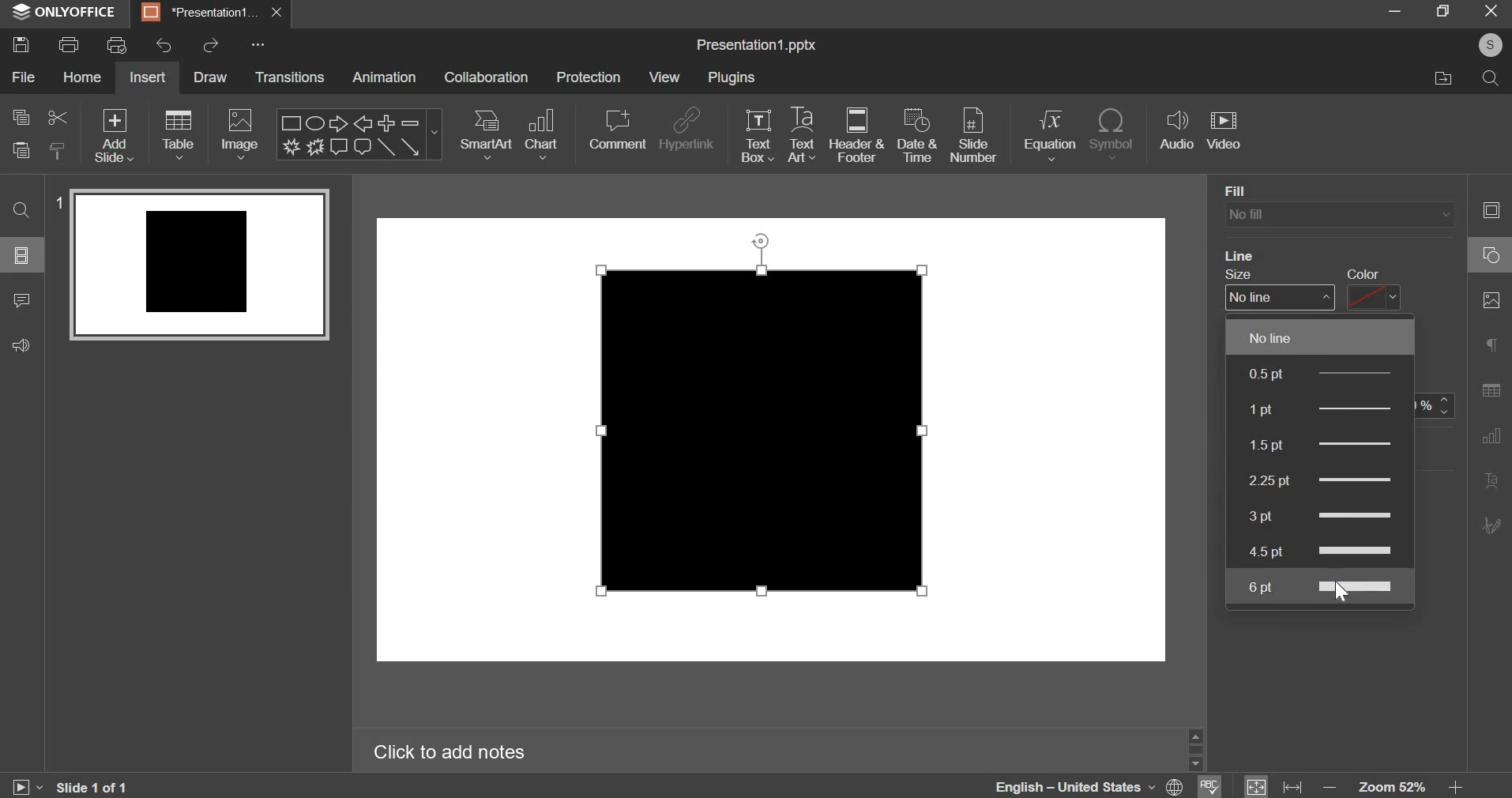  Describe the element at coordinates (1347, 408) in the screenshot. I see `1pt` at that location.